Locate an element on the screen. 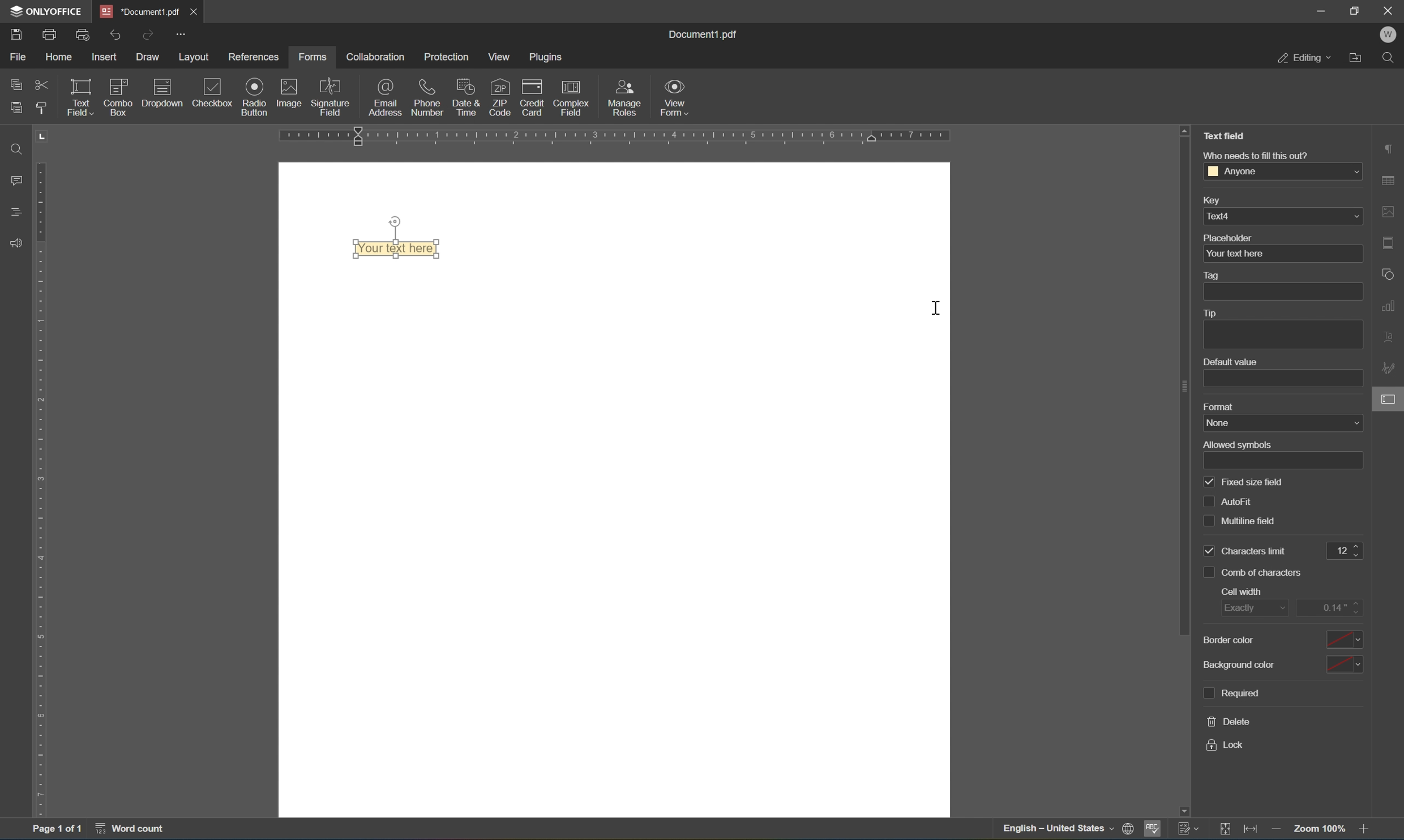  headings is located at coordinates (16, 216).